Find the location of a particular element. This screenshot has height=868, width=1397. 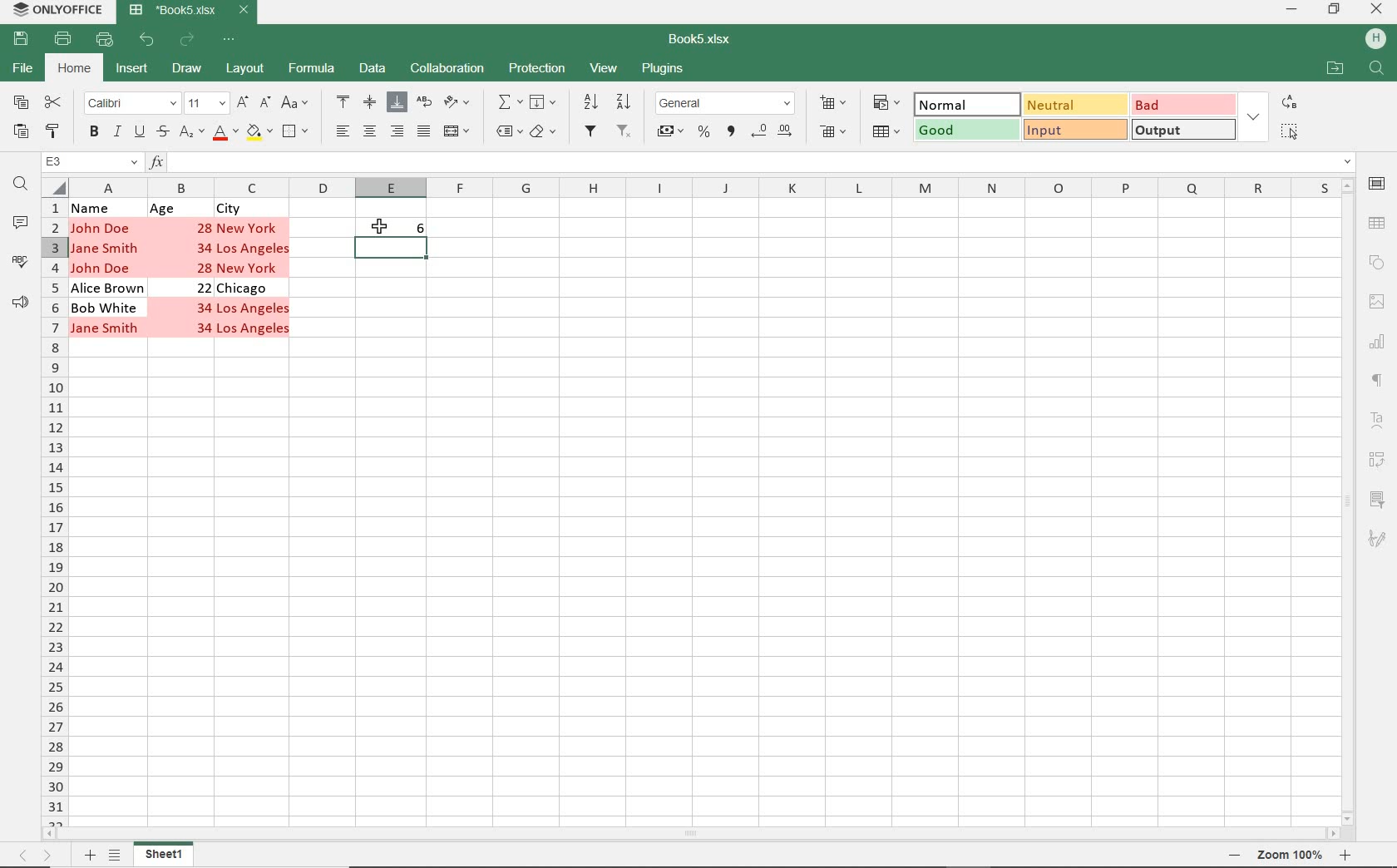

New York is located at coordinates (254, 268).